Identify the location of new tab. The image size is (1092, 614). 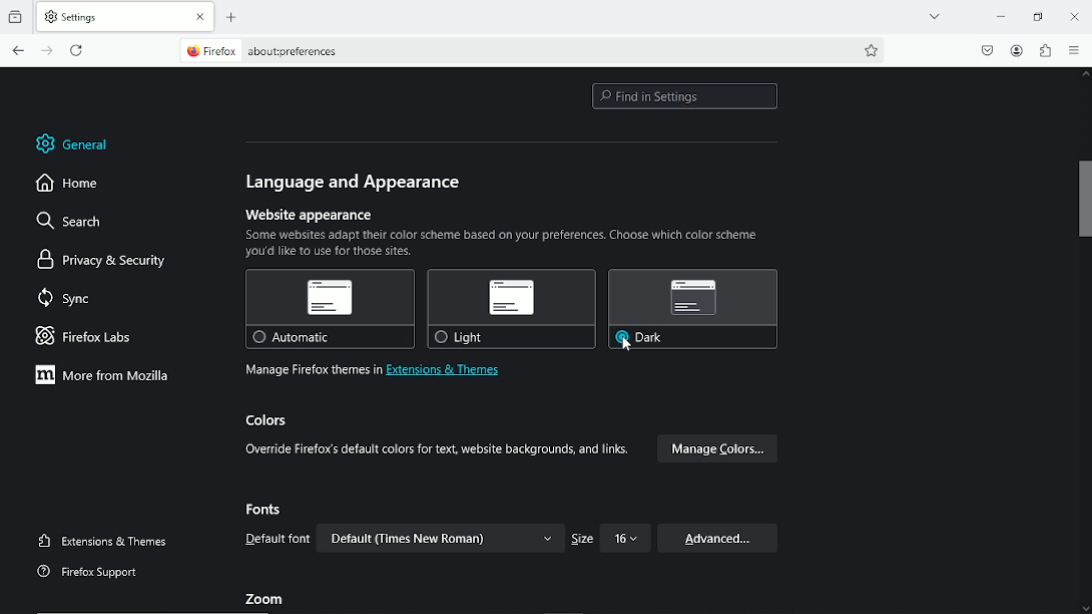
(232, 17).